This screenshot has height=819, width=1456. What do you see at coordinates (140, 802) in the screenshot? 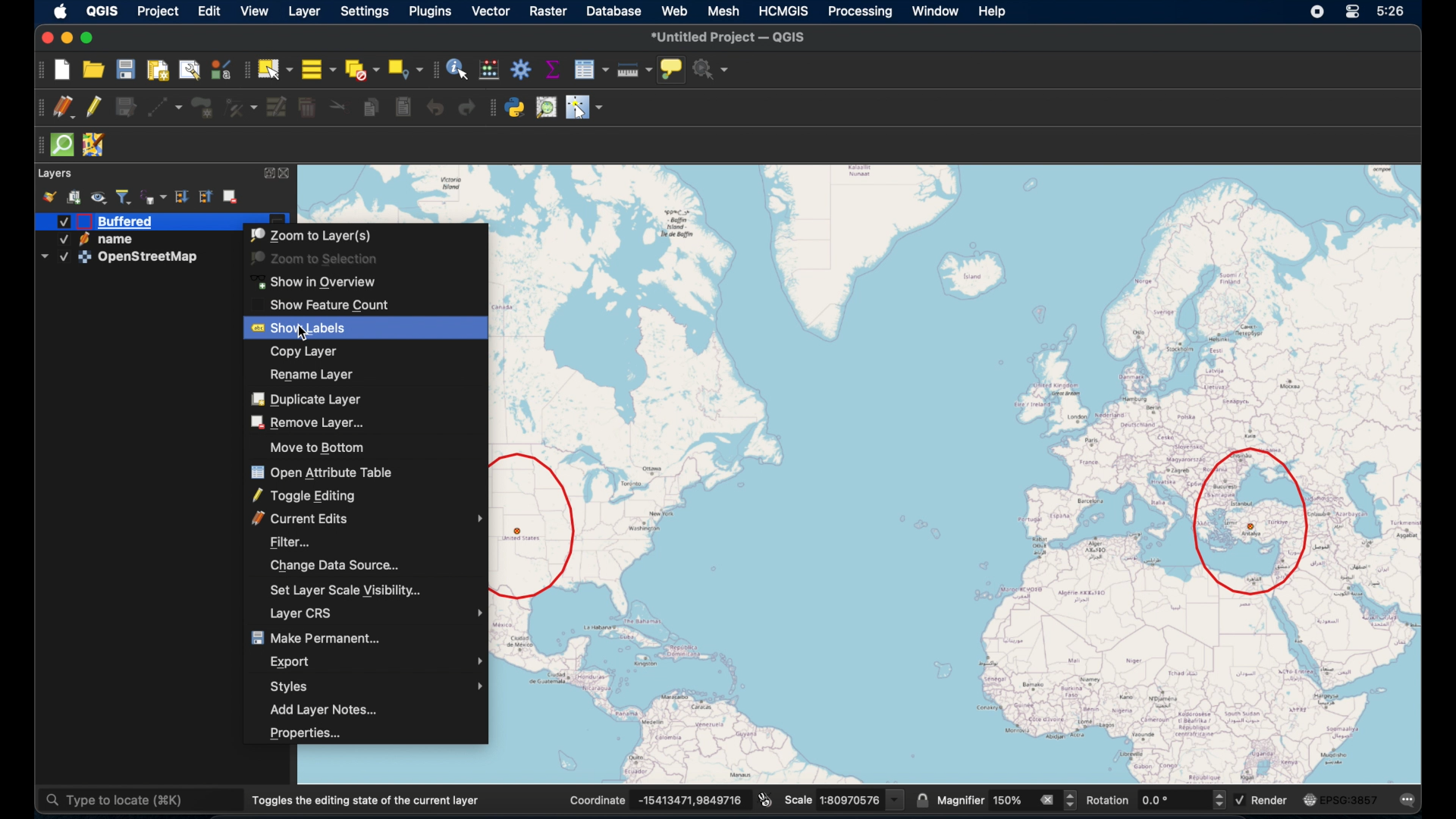
I see `type to locate` at bounding box center [140, 802].